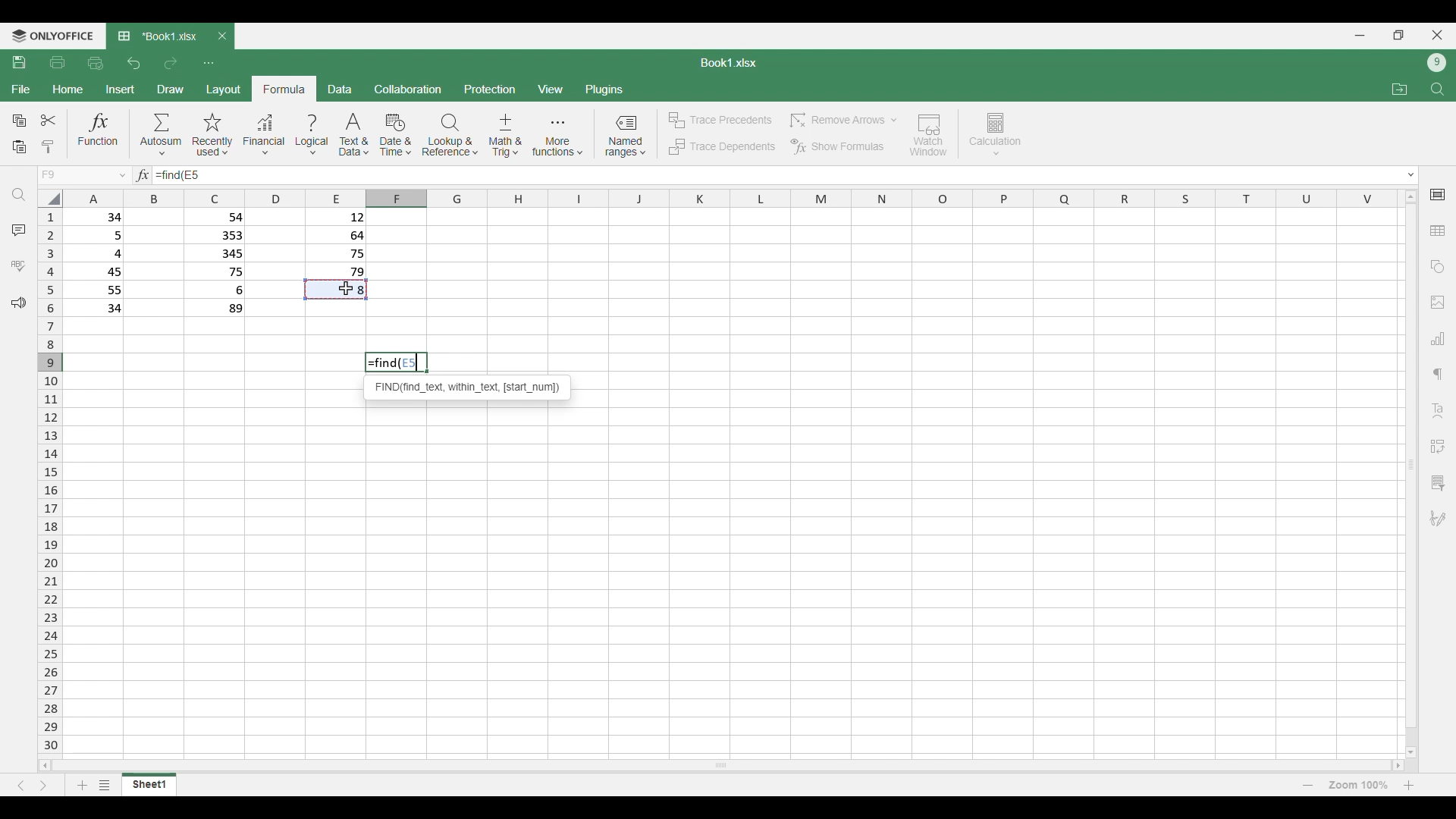 The height and width of the screenshot is (819, 1456). What do you see at coordinates (726, 199) in the screenshot?
I see `Indicates columns` at bounding box center [726, 199].